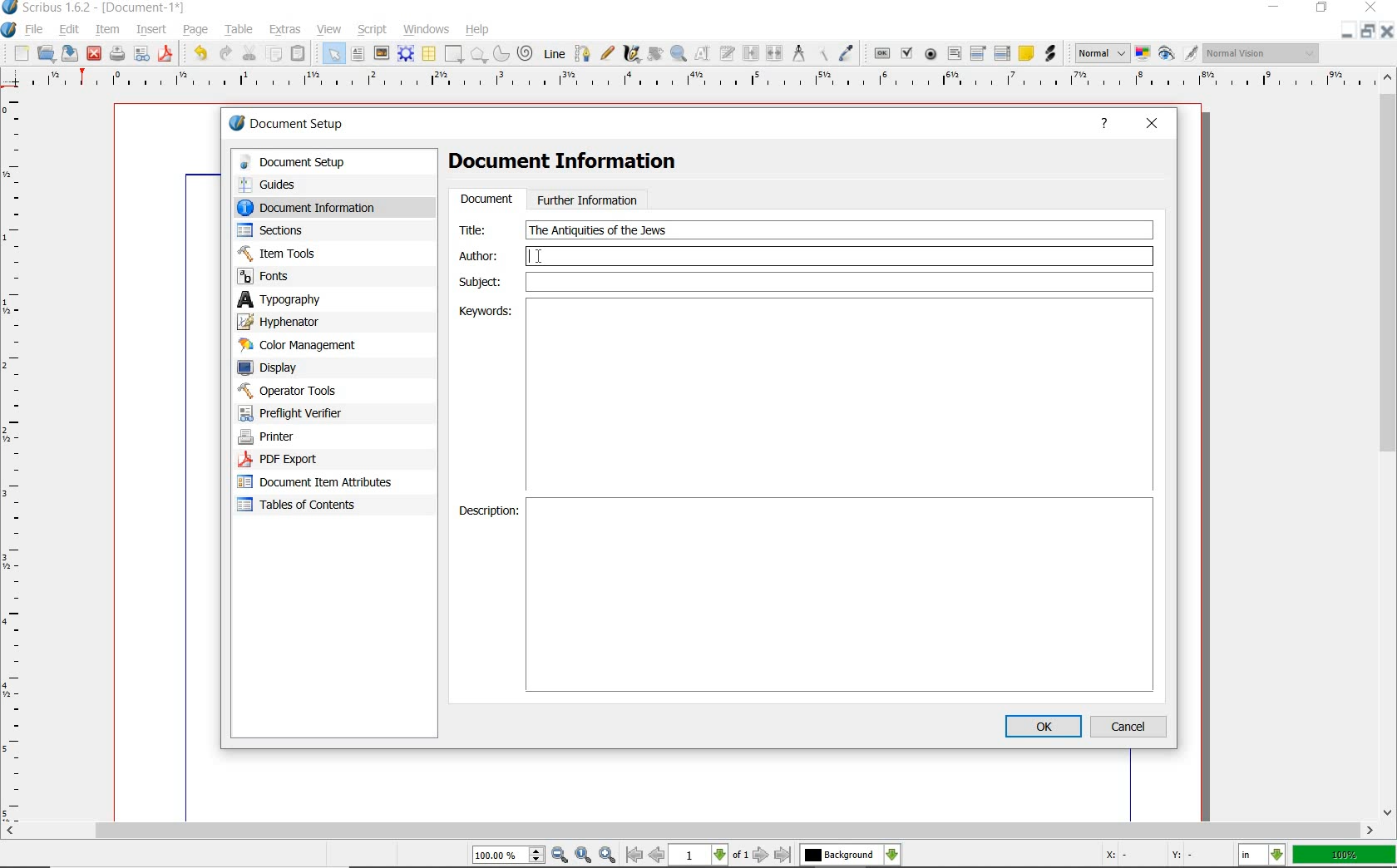  I want to click on spiral, so click(527, 52).